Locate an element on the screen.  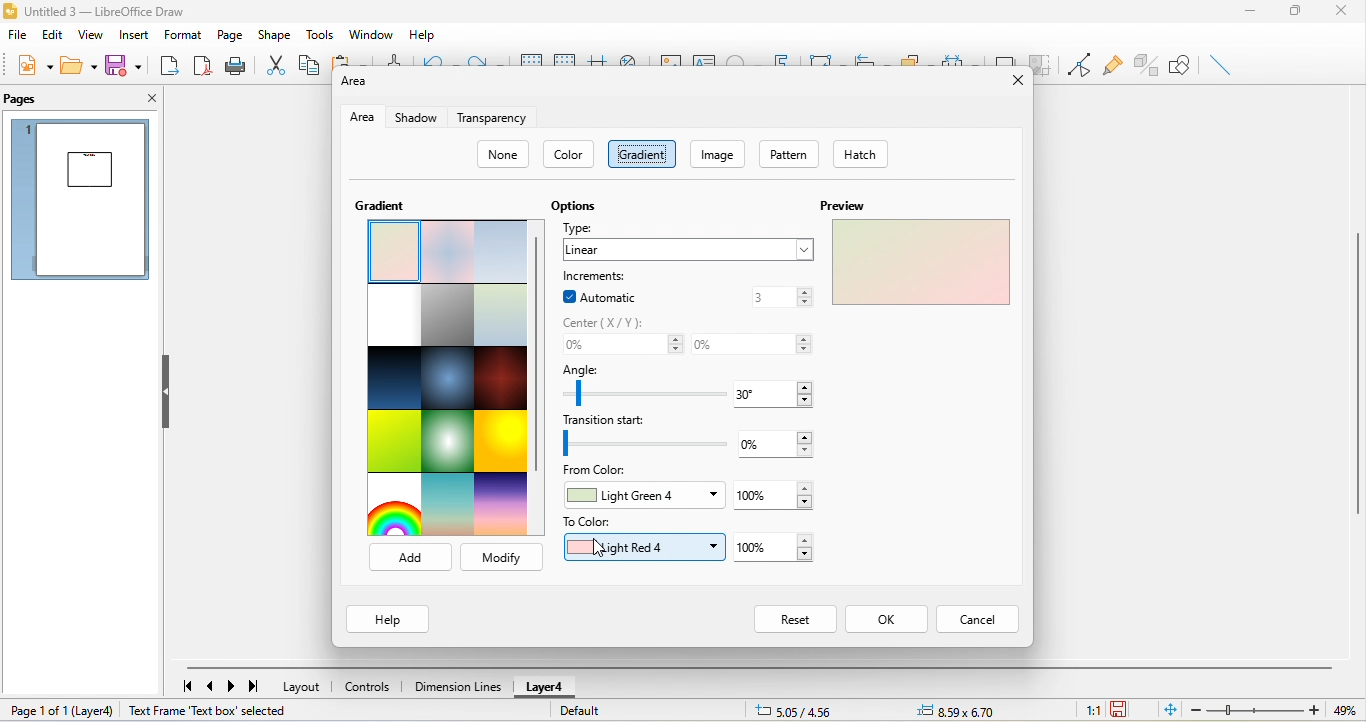
horizontal scroll bar is located at coordinates (759, 668).